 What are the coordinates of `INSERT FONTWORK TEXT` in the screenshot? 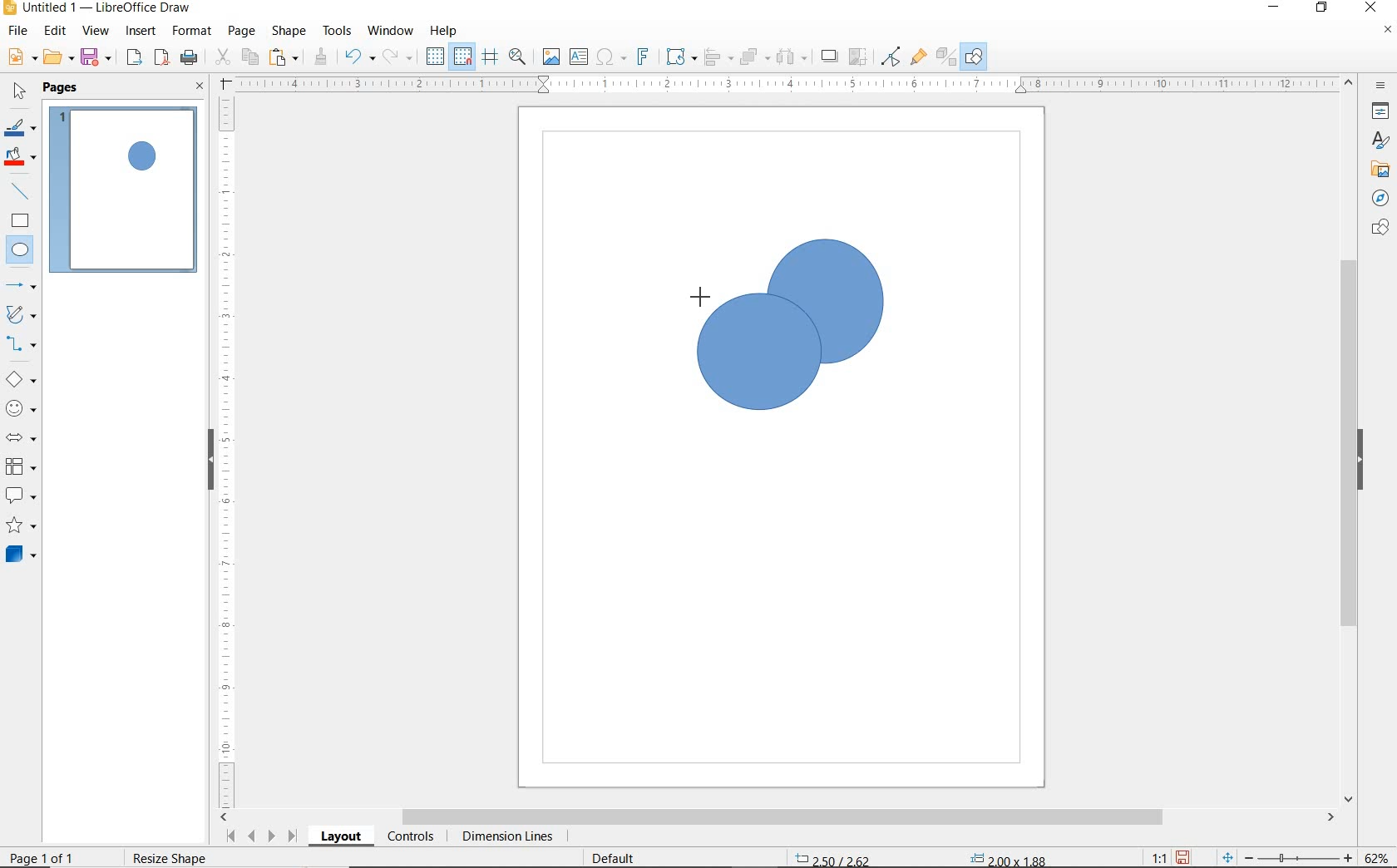 It's located at (641, 57).